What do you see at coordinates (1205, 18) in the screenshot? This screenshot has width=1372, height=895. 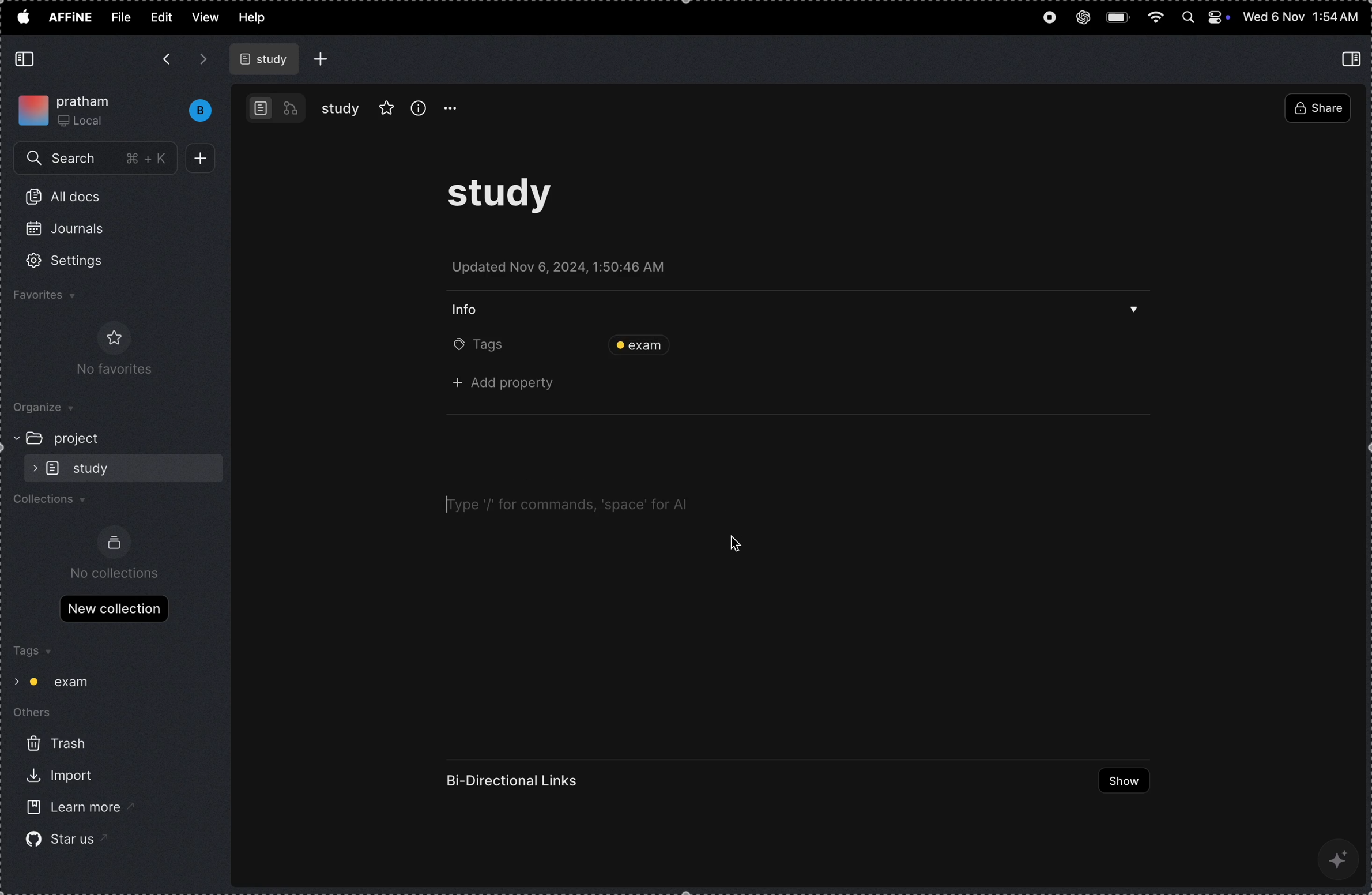 I see `apple widgets` at bounding box center [1205, 18].